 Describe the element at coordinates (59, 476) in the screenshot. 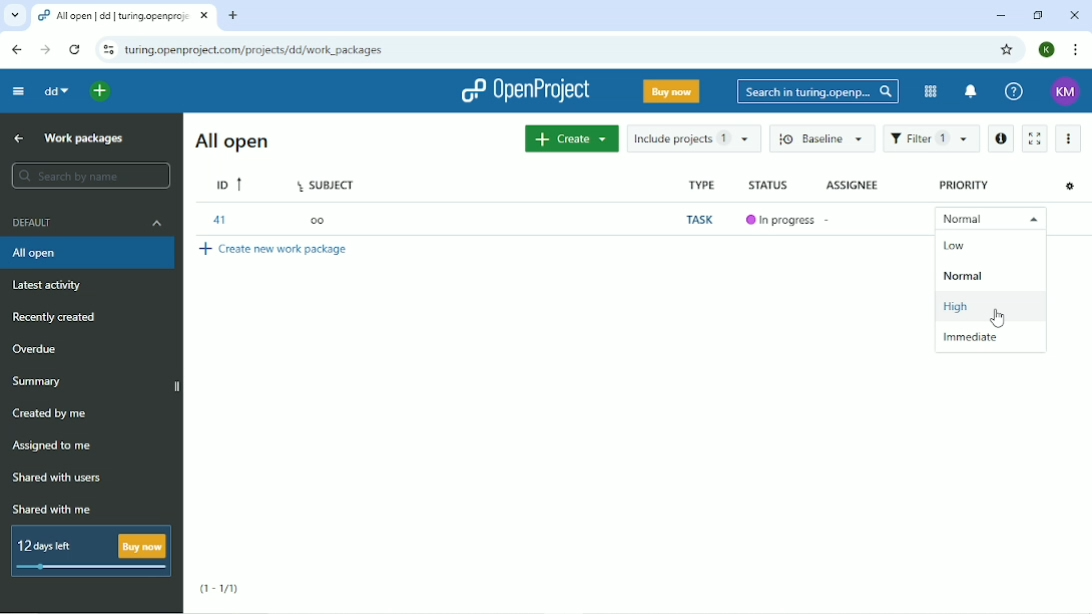

I see `Shared with users` at that location.